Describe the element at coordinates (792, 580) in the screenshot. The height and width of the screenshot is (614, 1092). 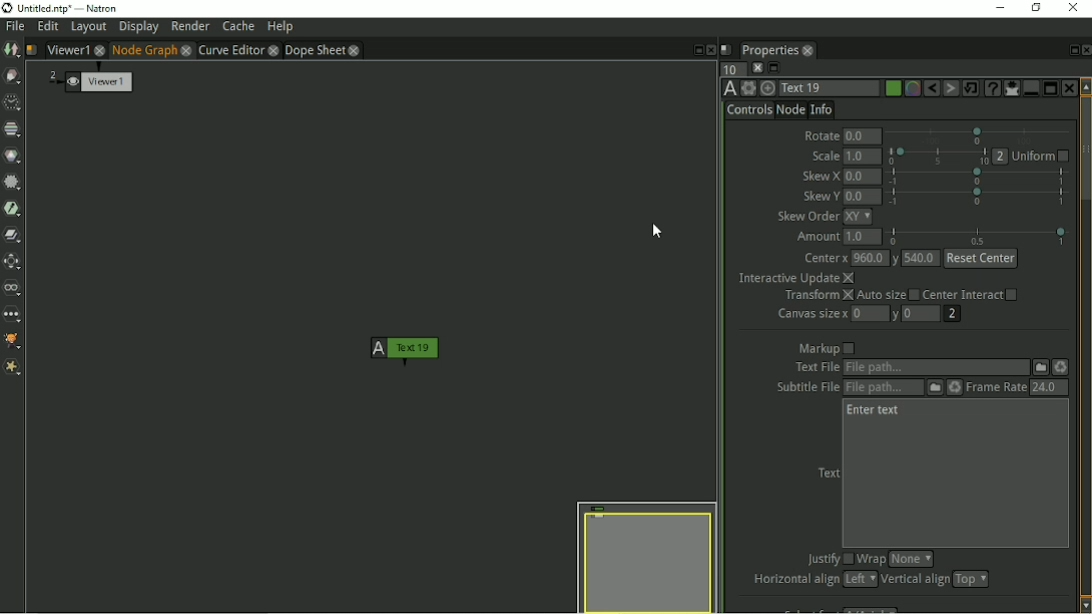
I see `Horizontal align` at that location.